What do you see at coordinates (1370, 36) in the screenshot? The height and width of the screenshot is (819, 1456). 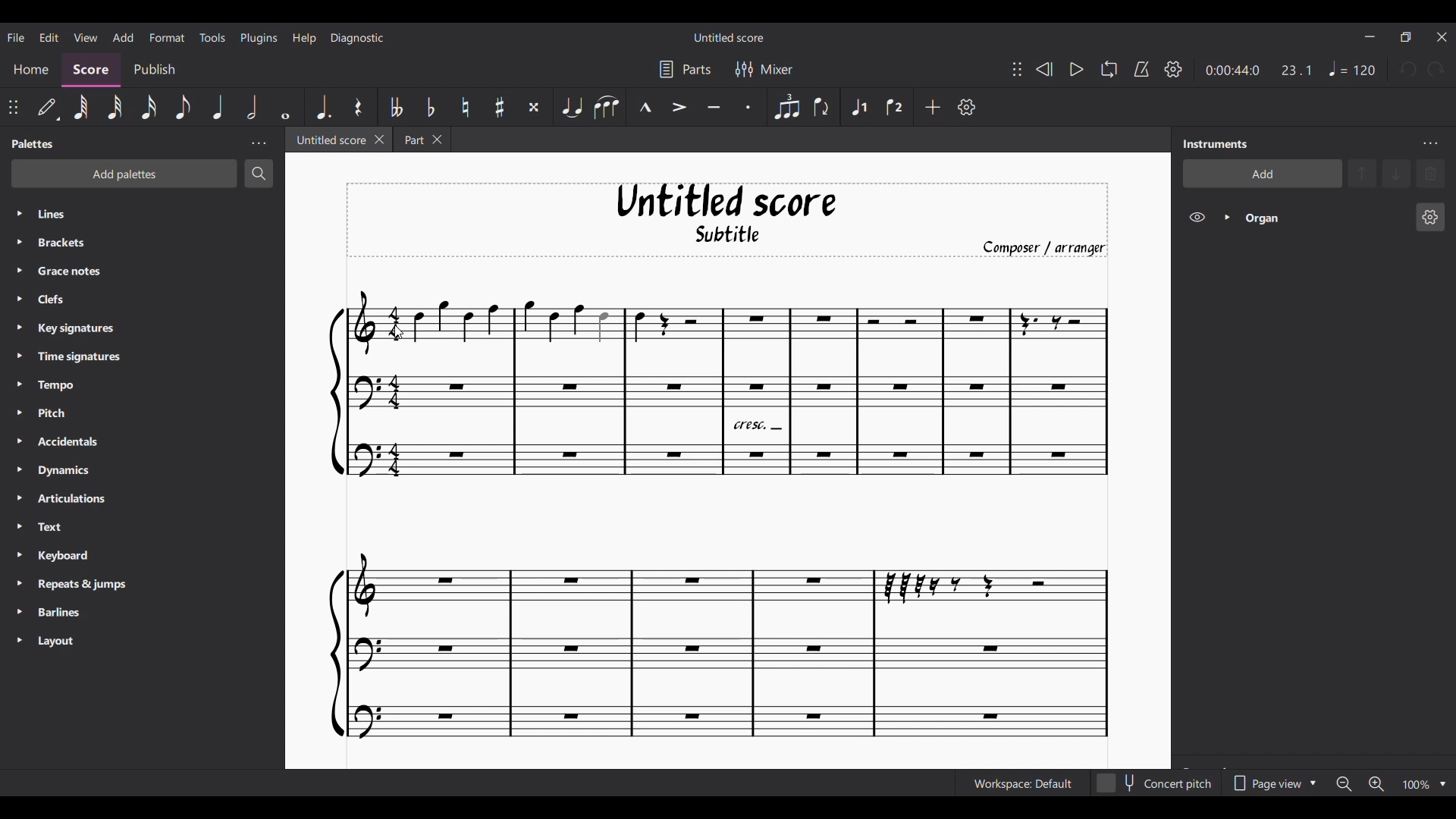 I see `Minimize` at bounding box center [1370, 36].